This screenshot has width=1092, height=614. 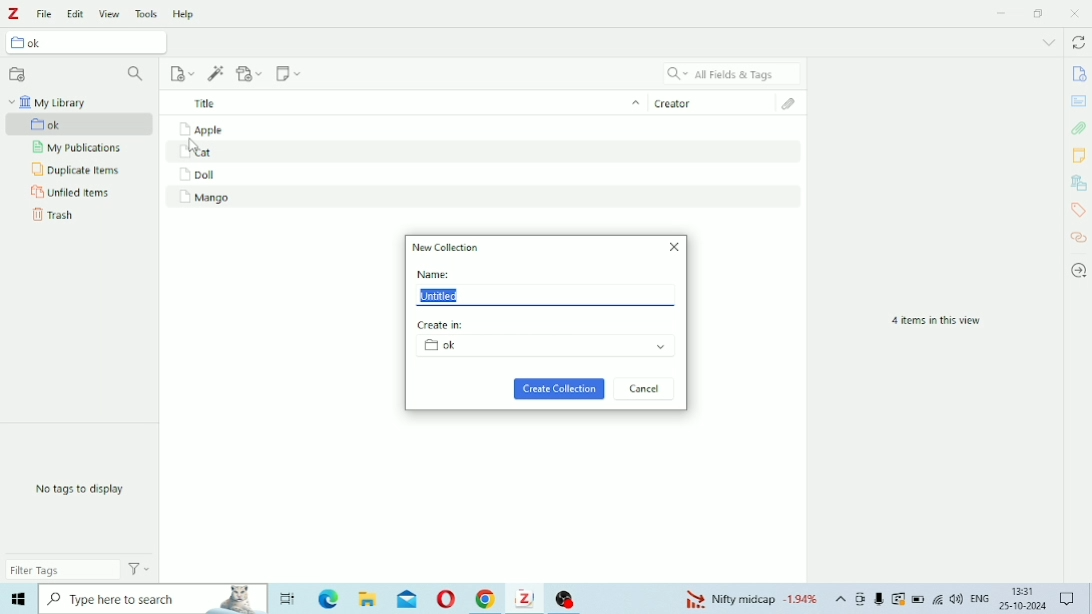 What do you see at coordinates (1077, 183) in the screenshot?
I see `Libraries and Collections` at bounding box center [1077, 183].